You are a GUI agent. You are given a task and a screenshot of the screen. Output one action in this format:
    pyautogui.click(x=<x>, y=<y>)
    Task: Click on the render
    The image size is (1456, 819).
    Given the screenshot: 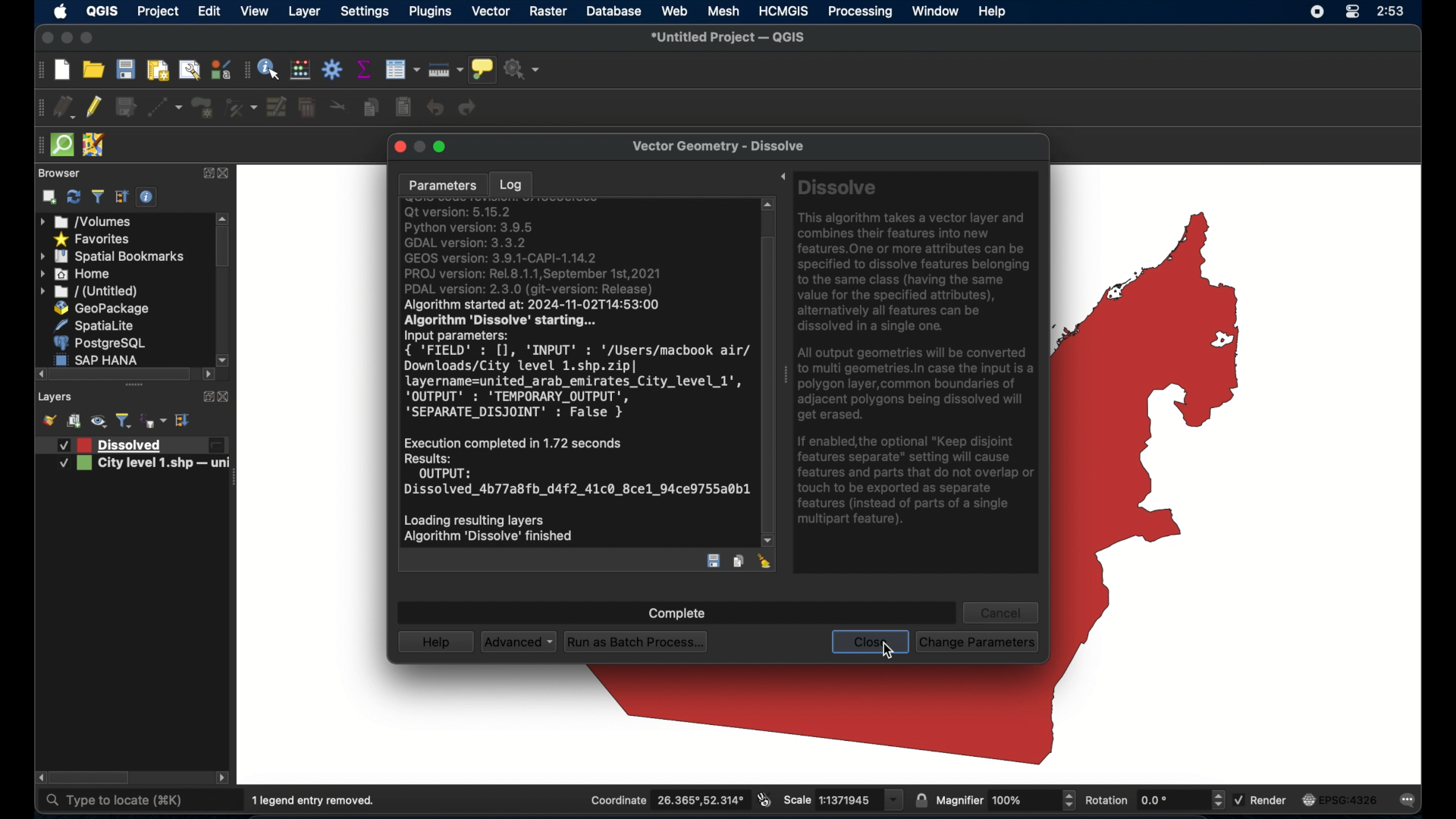 What is the action you would take?
    pyautogui.click(x=1263, y=800)
    